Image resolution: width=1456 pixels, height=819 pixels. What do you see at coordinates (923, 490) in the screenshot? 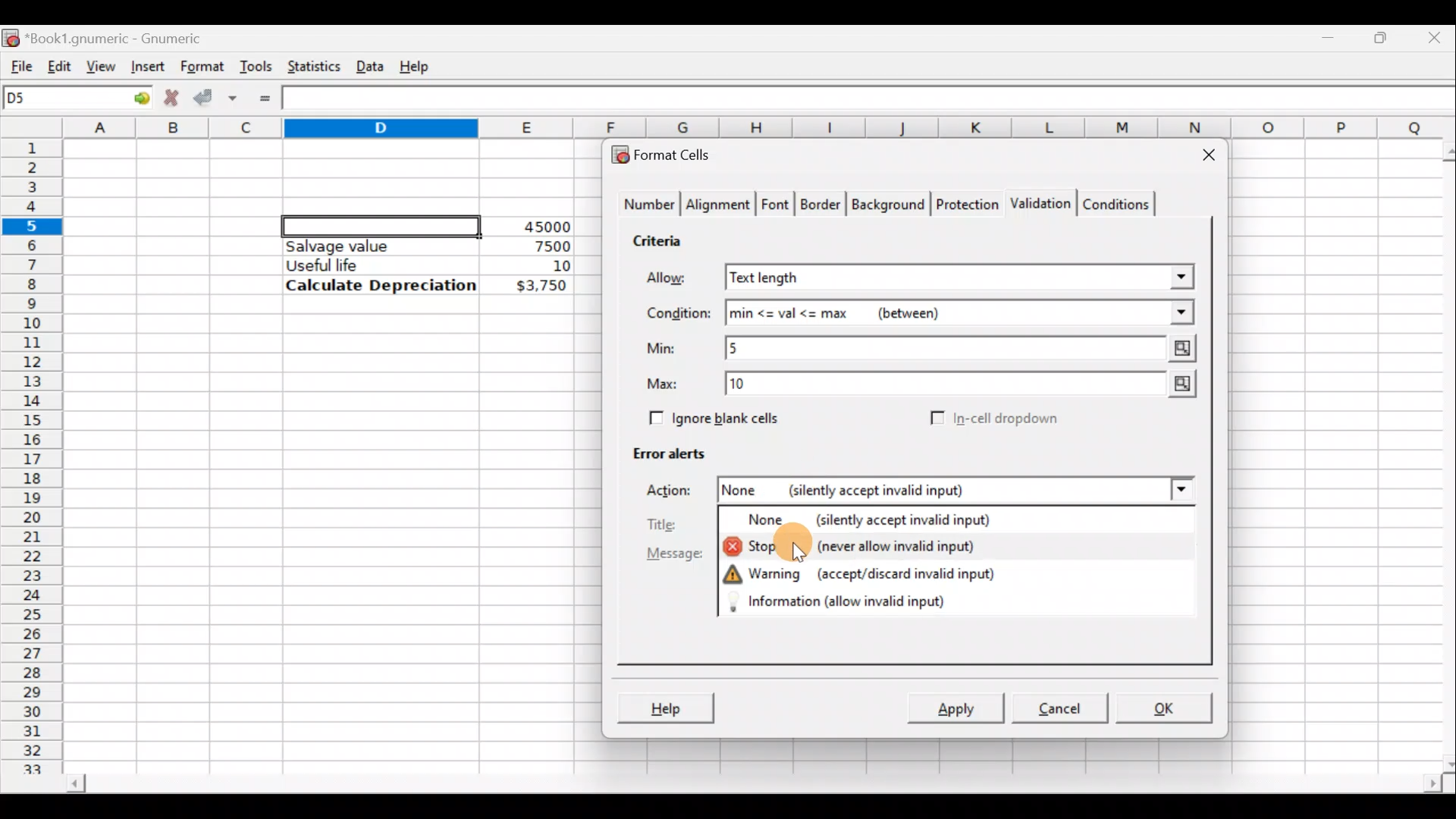
I see `None (silently accept invalid input)` at bounding box center [923, 490].